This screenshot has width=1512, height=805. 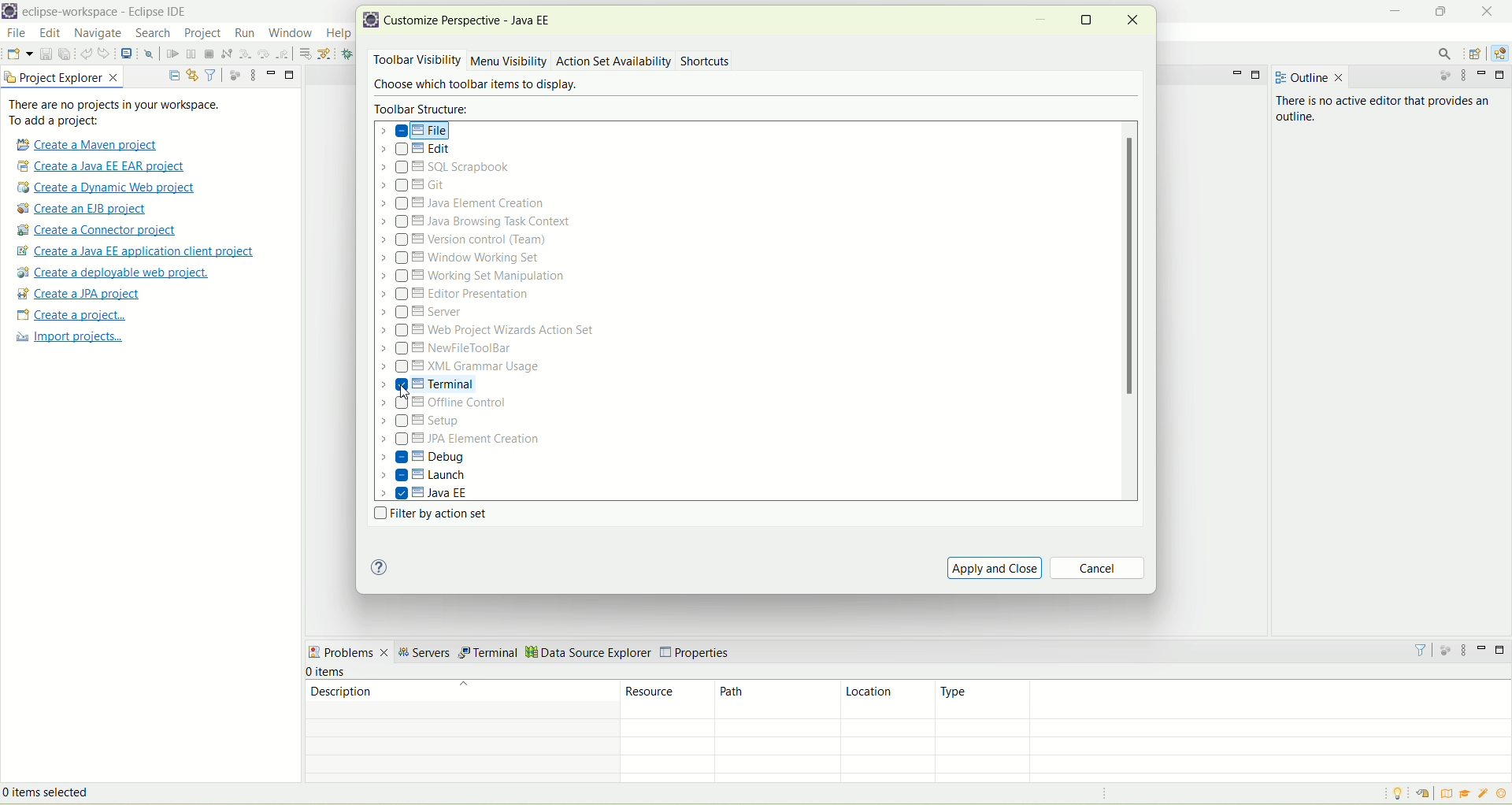 What do you see at coordinates (1450, 794) in the screenshot?
I see `overview` at bounding box center [1450, 794].